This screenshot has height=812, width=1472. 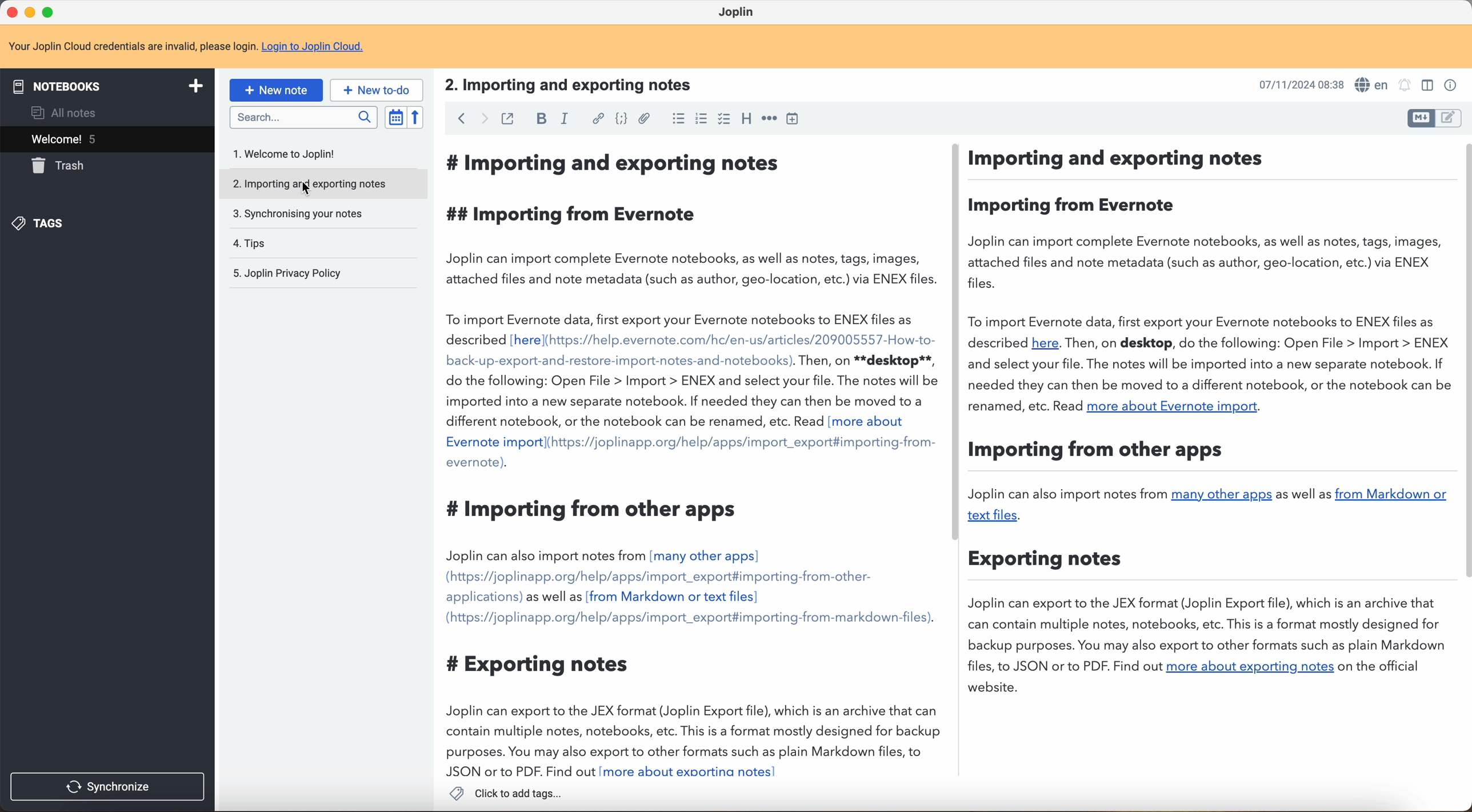 What do you see at coordinates (1407, 86) in the screenshot?
I see `set alarm` at bounding box center [1407, 86].